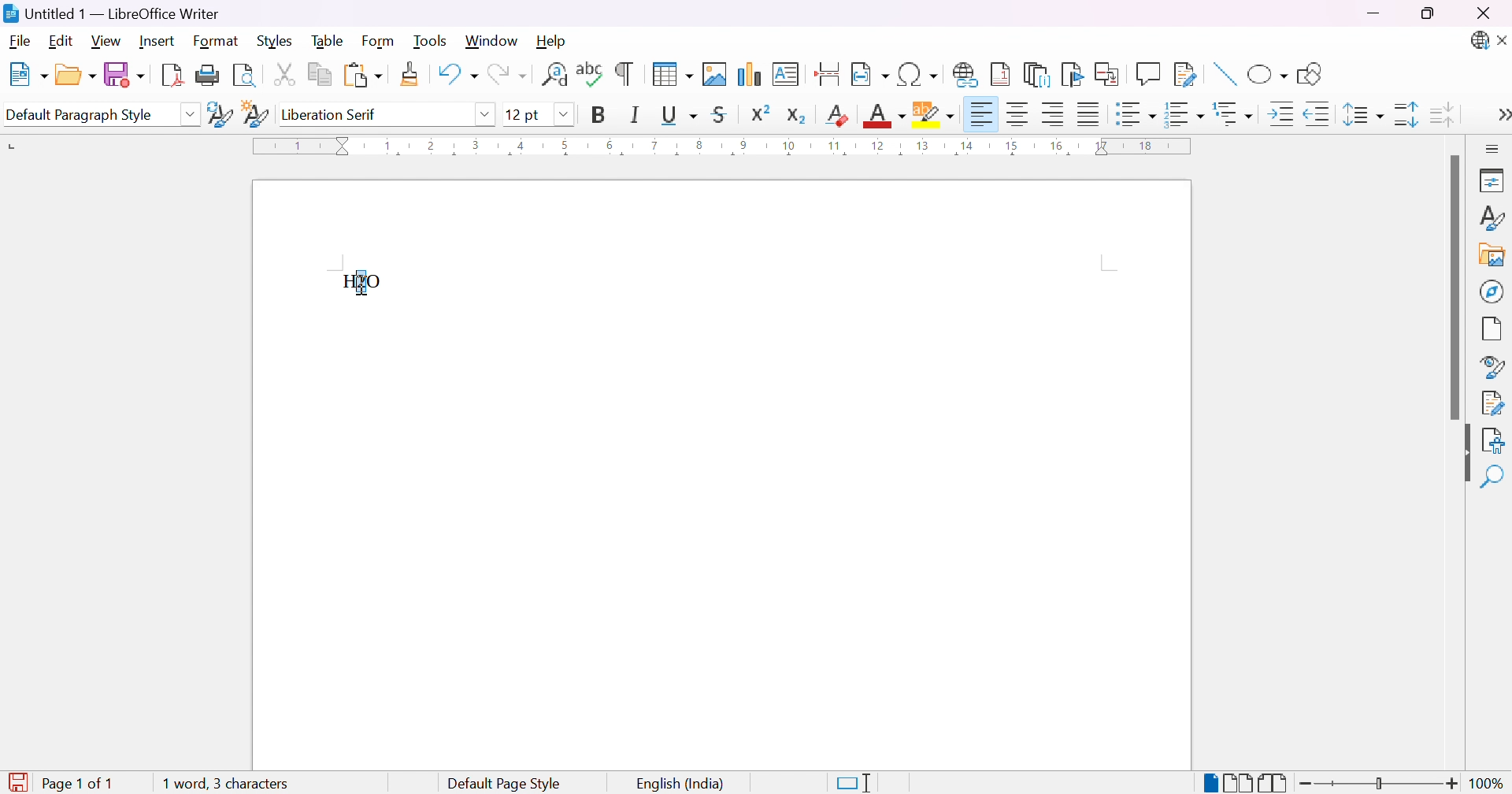  Describe the element at coordinates (1237, 785) in the screenshot. I see `Multiple-page break` at that location.